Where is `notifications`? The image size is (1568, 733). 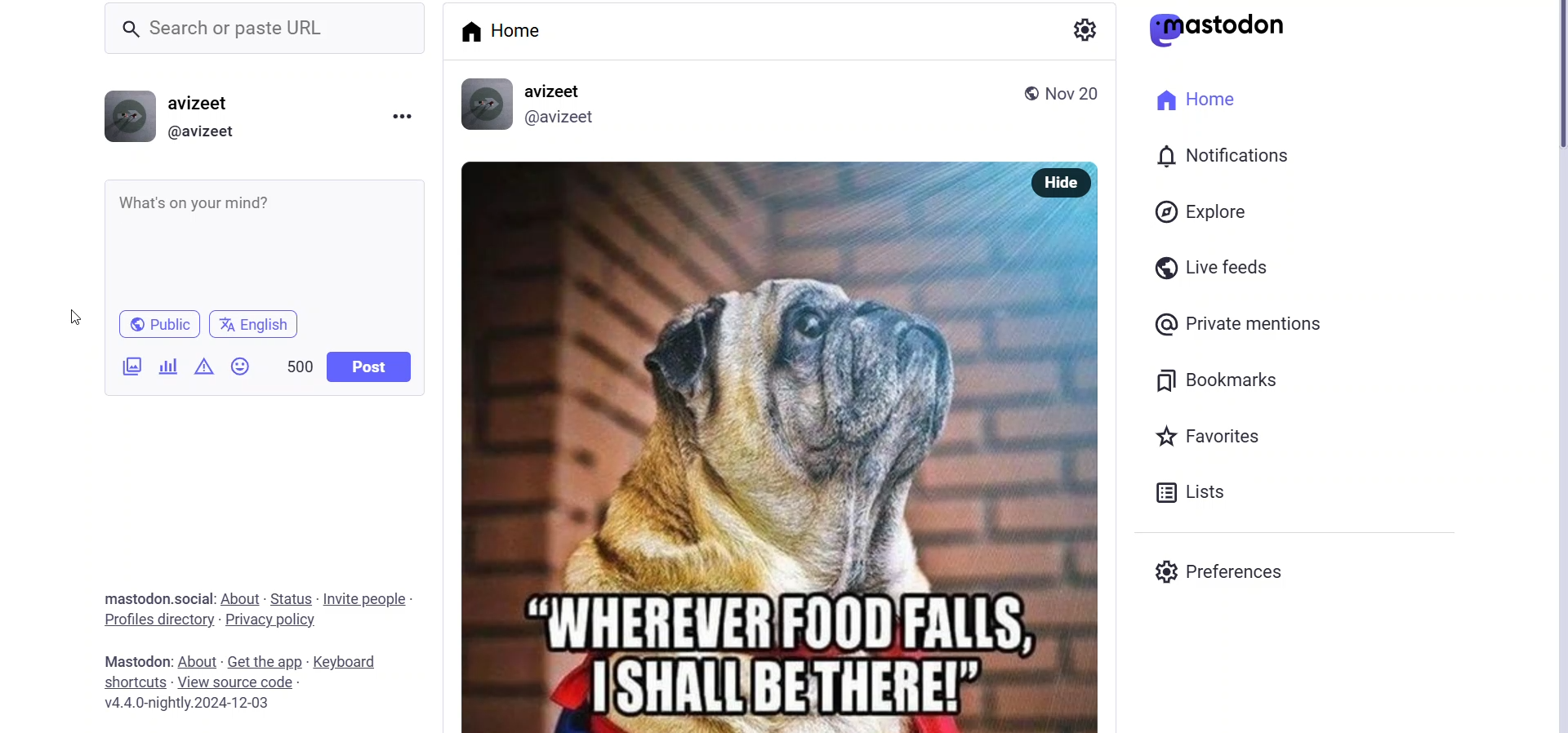
notifications is located at coordinates (1220, 158).